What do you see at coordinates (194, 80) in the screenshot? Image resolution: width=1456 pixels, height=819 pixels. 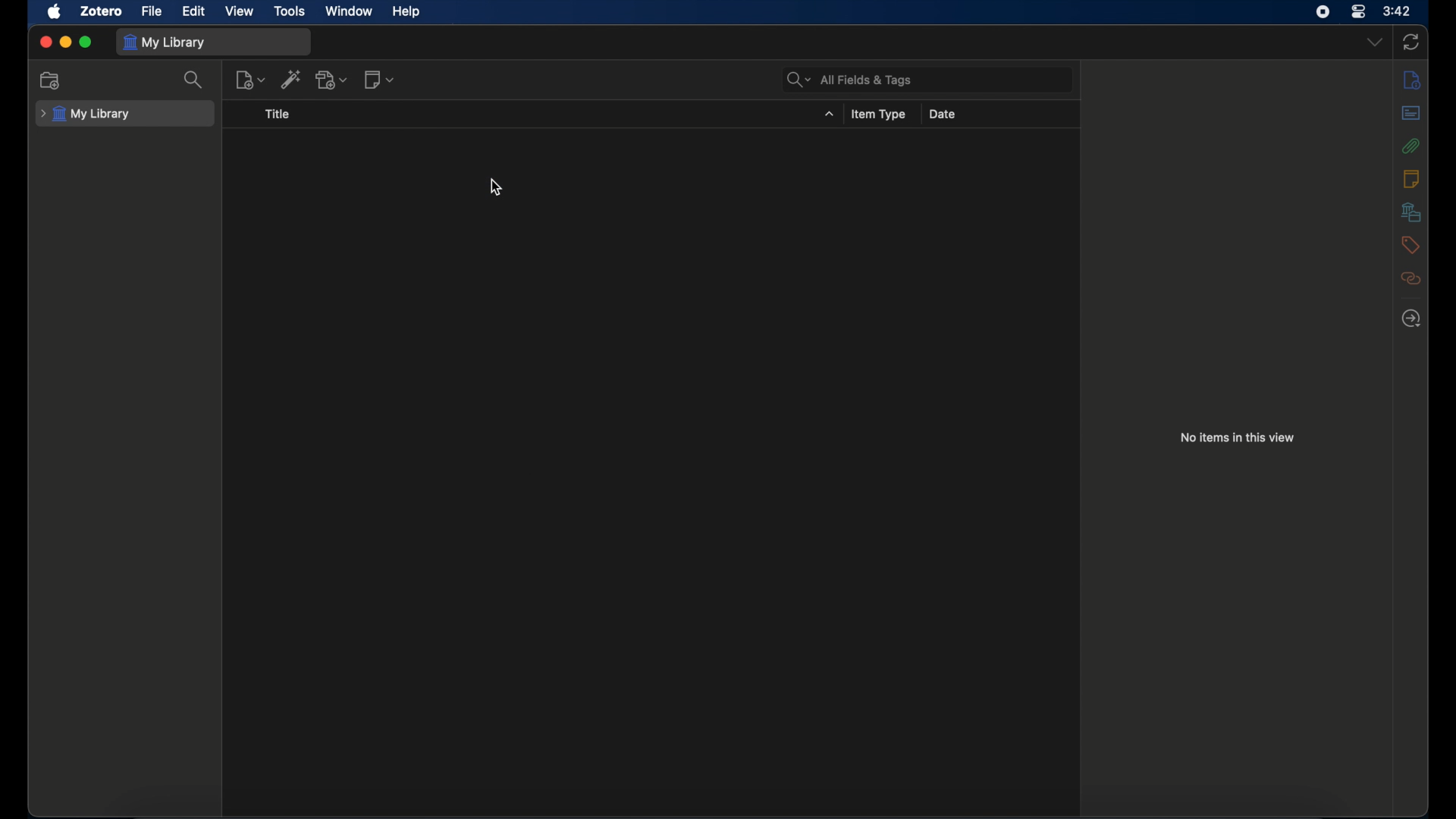 I see `search` at bounding box center [194, 80].